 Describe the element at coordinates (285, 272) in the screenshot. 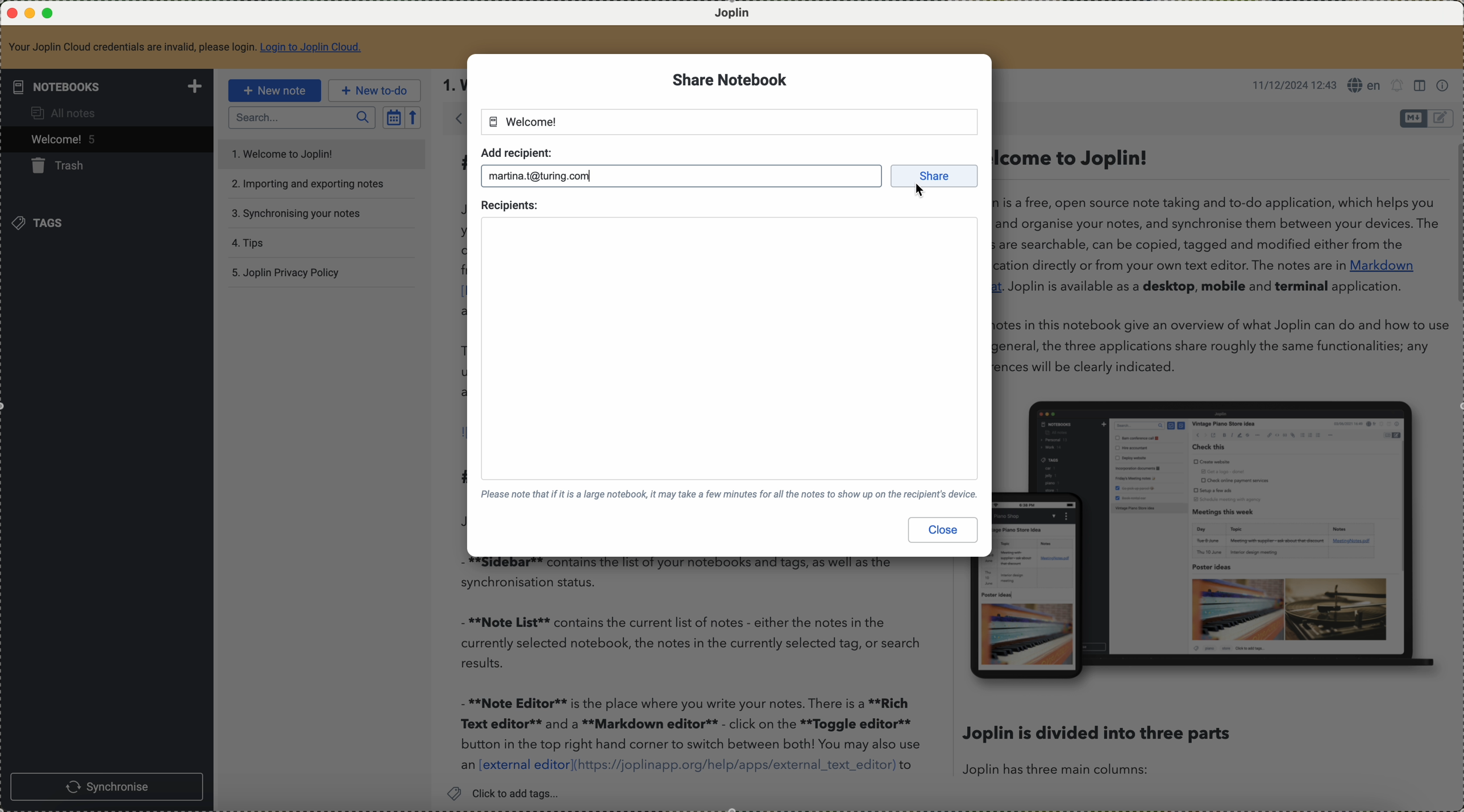

I see `Joplin privacy policy` at that location.